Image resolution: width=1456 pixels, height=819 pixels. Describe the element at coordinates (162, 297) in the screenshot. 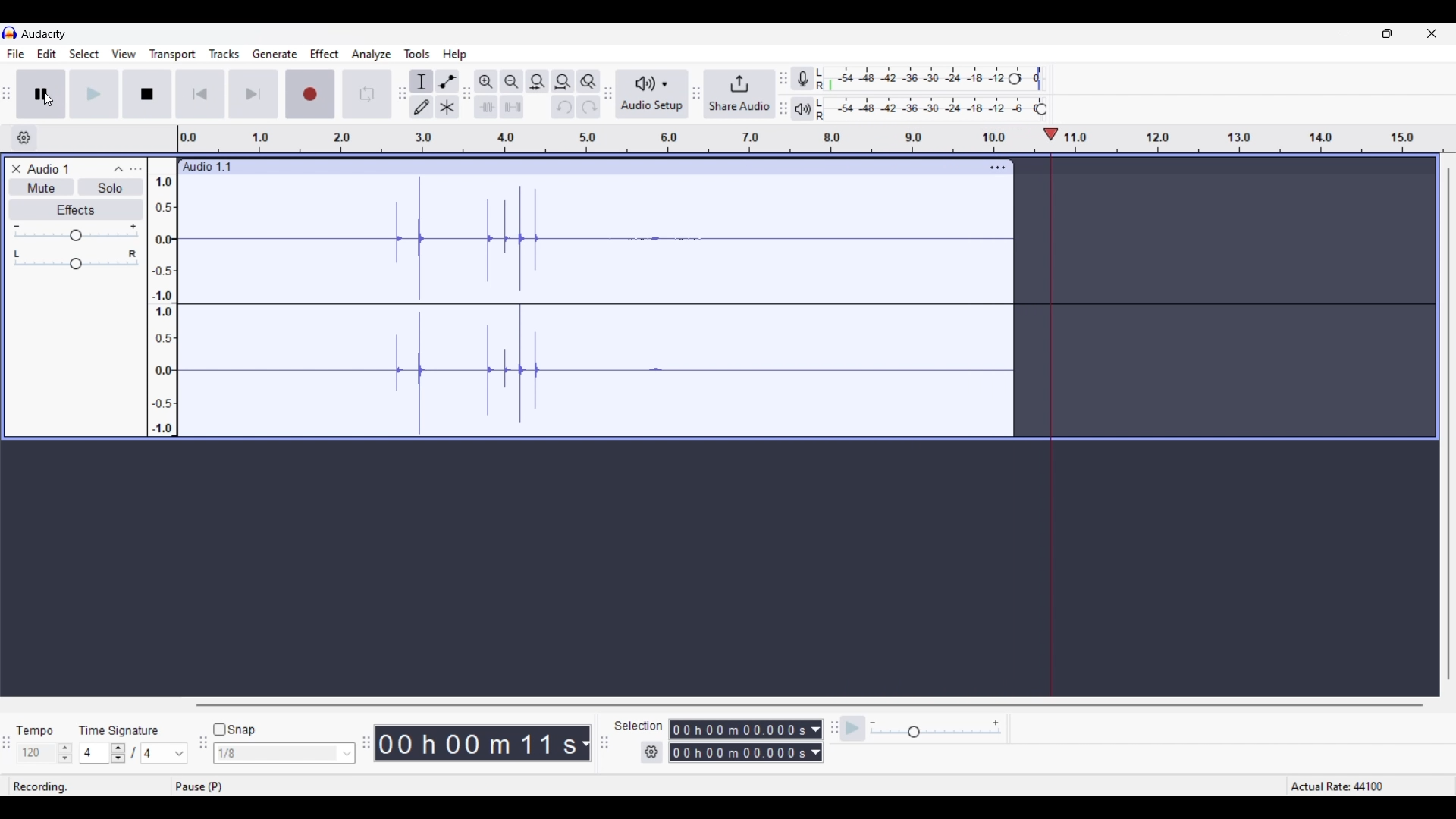

I see `Scale to measure track intensity` at that location.